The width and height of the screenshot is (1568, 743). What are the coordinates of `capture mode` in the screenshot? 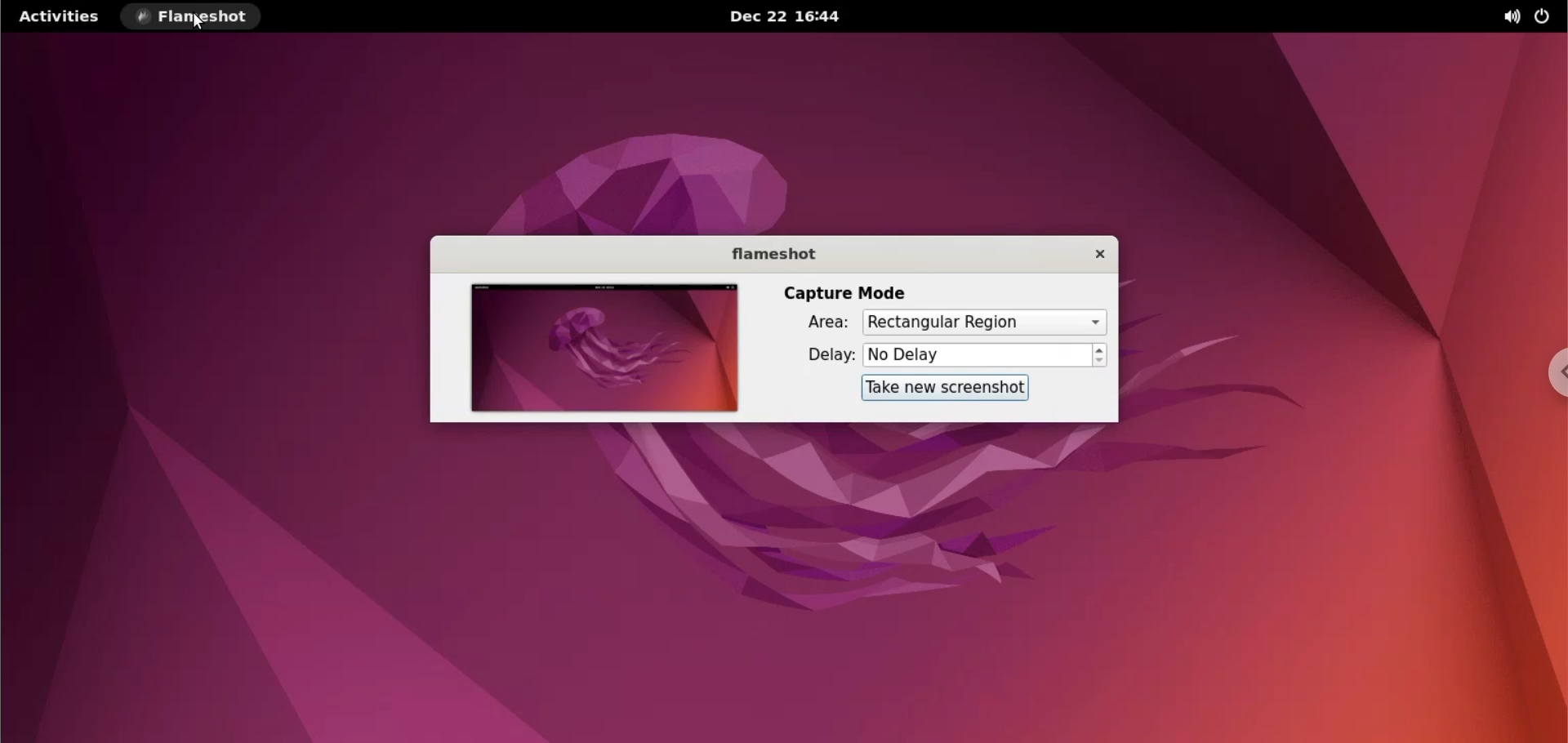 It's located at (853, 293).